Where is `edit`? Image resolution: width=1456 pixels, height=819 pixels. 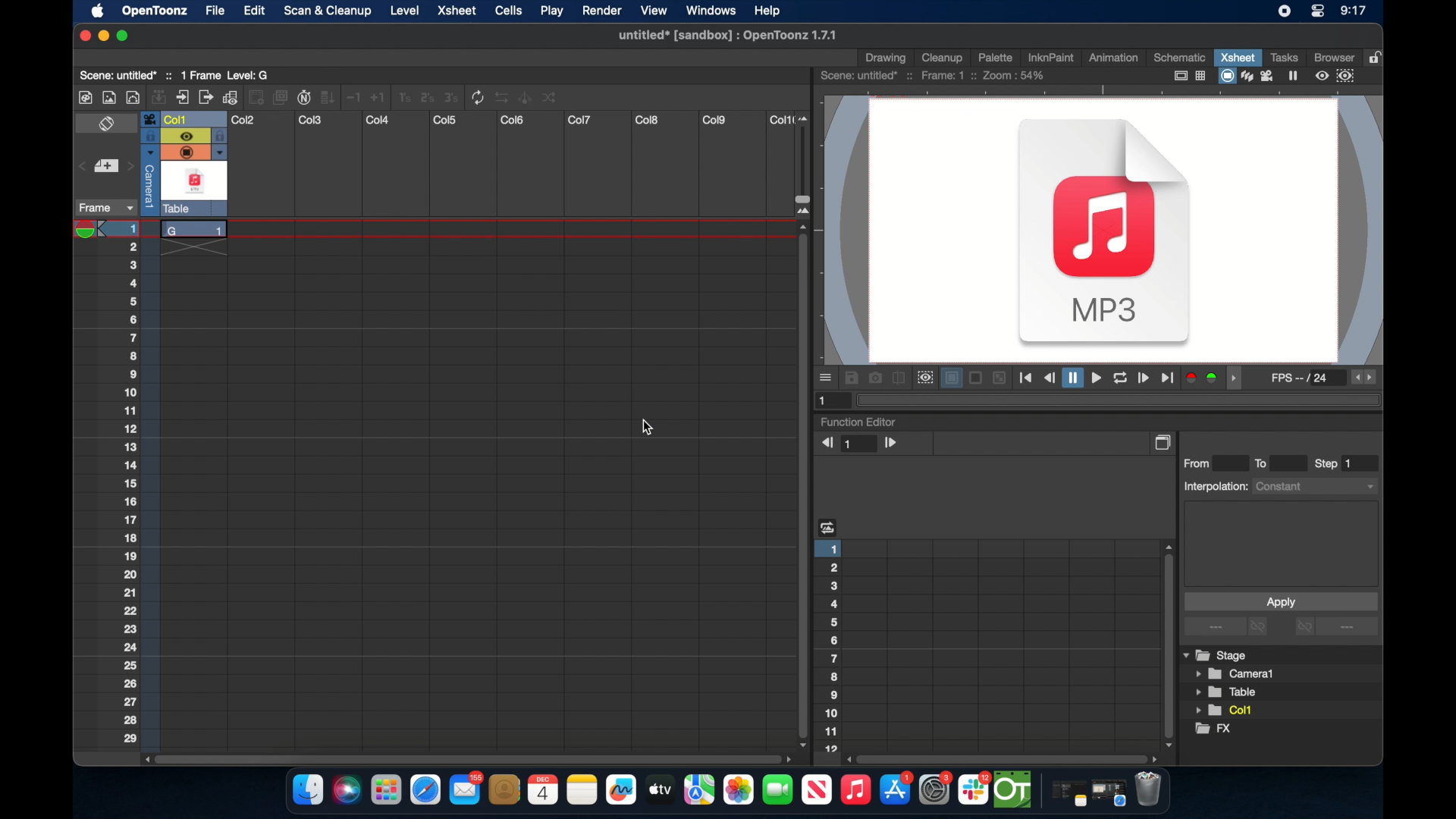
edit is located at coordinates (252, 11).